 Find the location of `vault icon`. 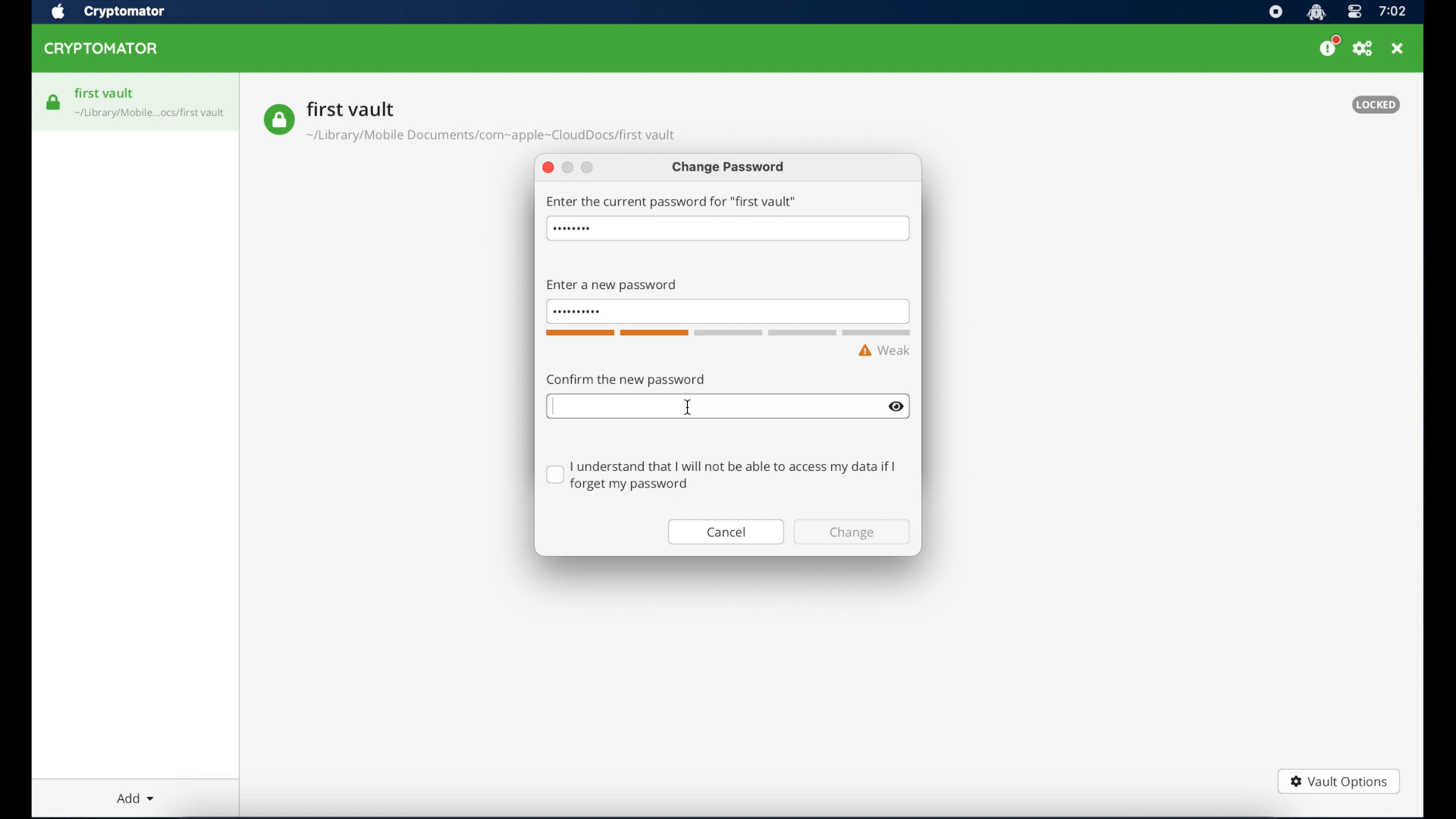

vault icon is located at coordinates (151, 115).